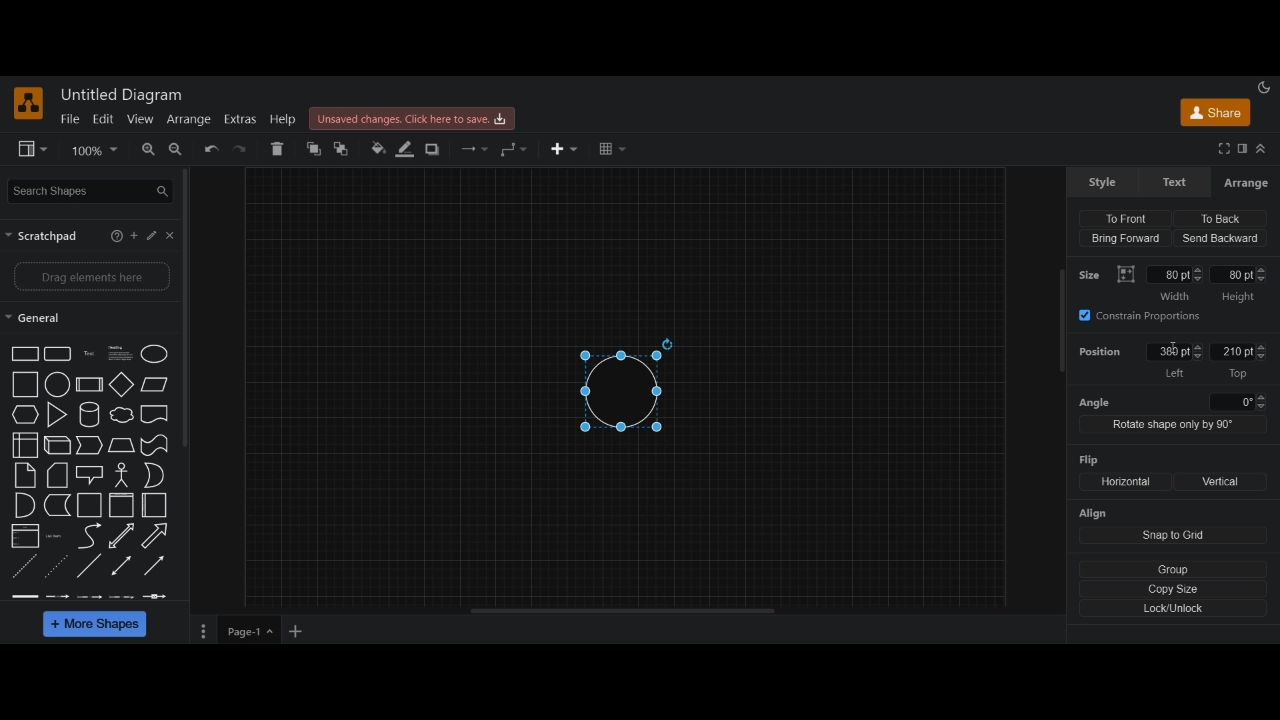  What do you see at coordinates (58, 506) in the screenshot?
I see `free shape` at bounding box center [58, 506].